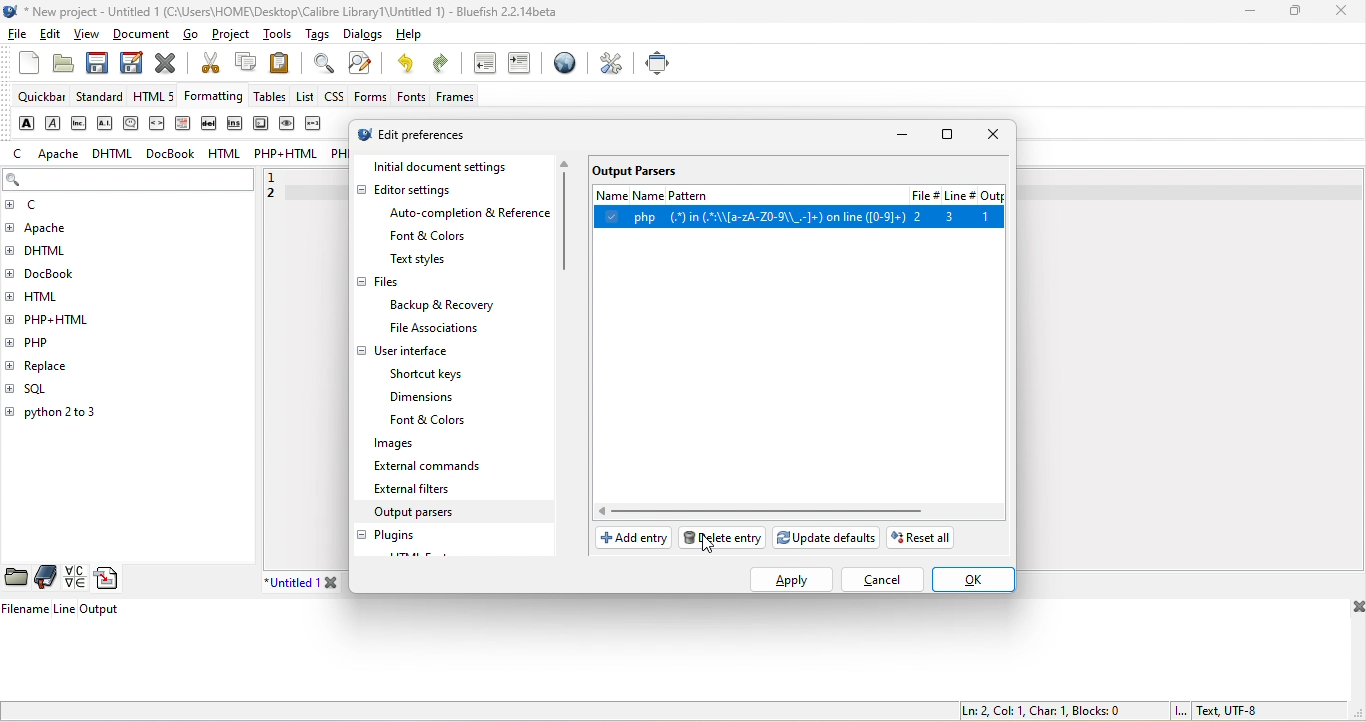 The image size is (1366, 722). I want to click on backup & recovery, so click(448, 305).